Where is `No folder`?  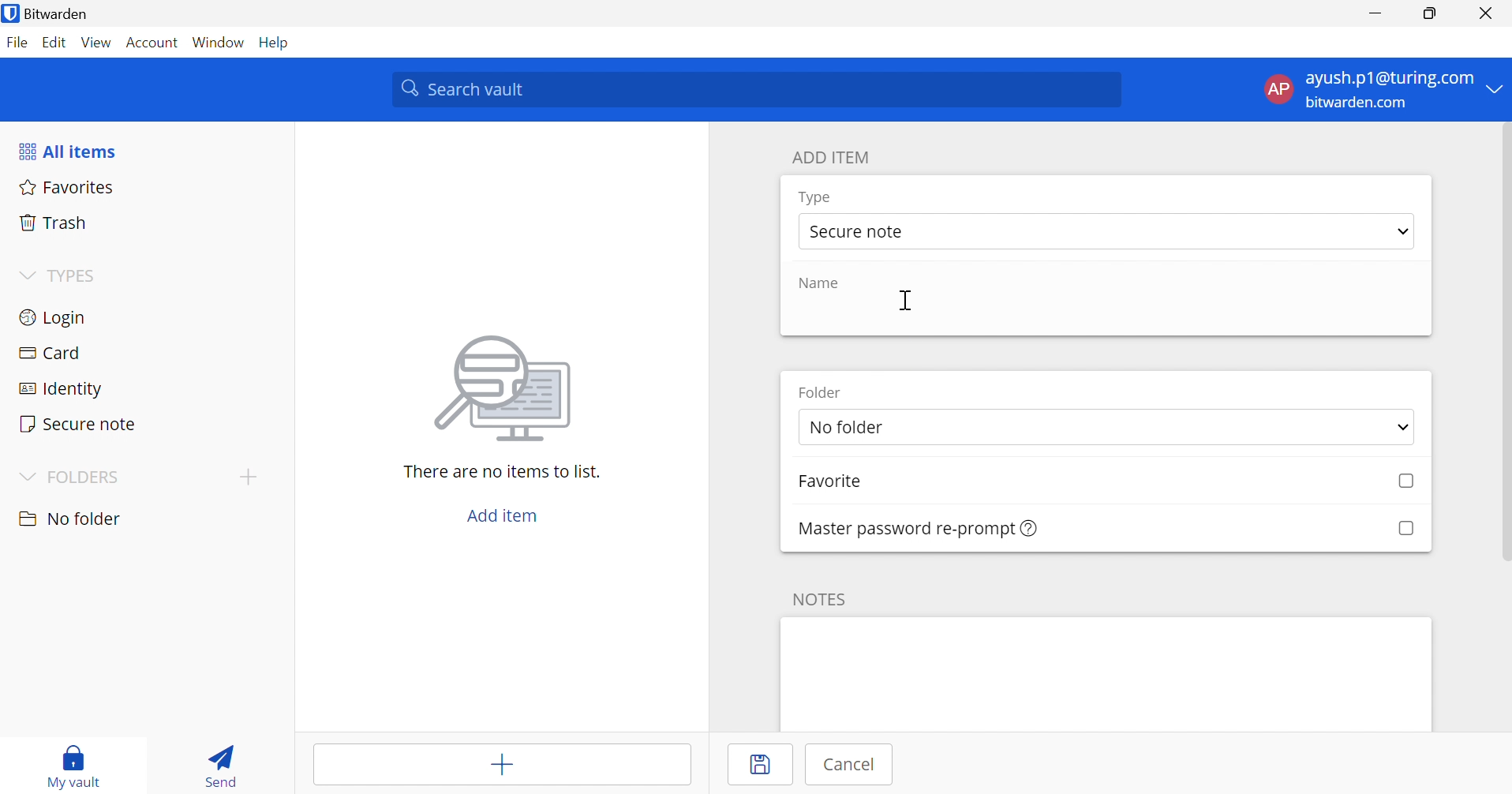
No folder is located at coordinates (919, 429).